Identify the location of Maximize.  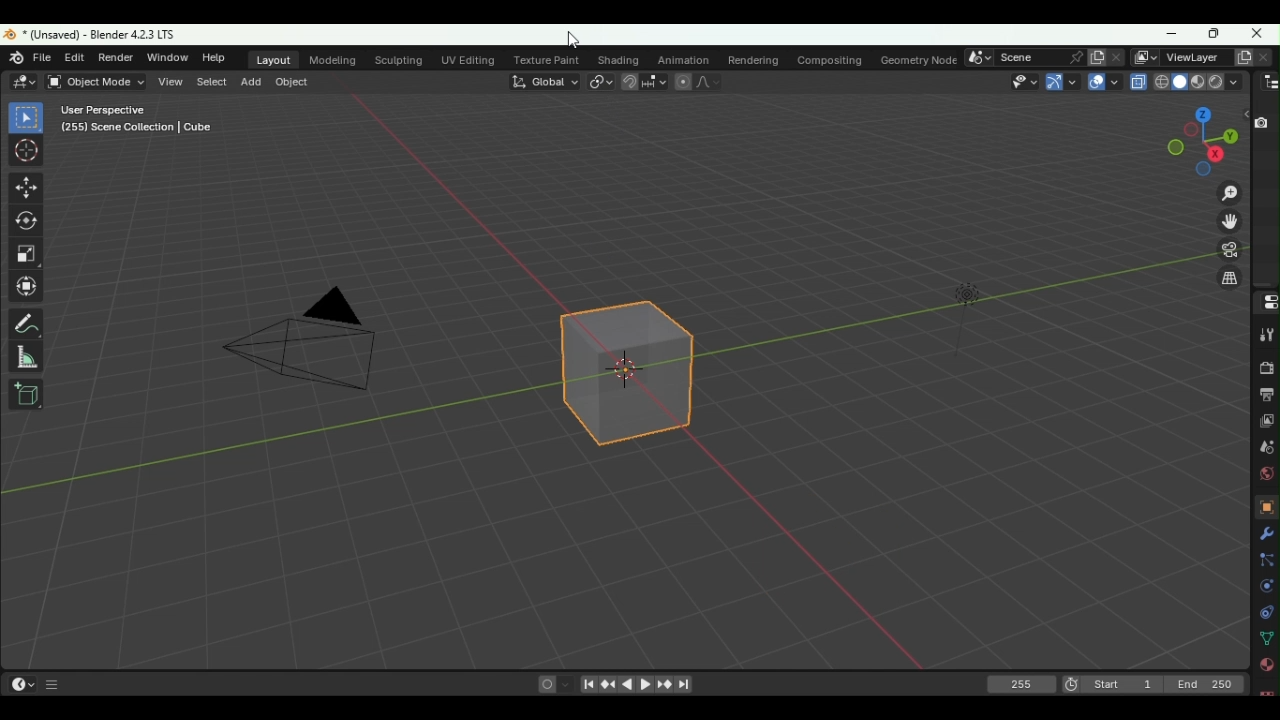
(1209, 34).